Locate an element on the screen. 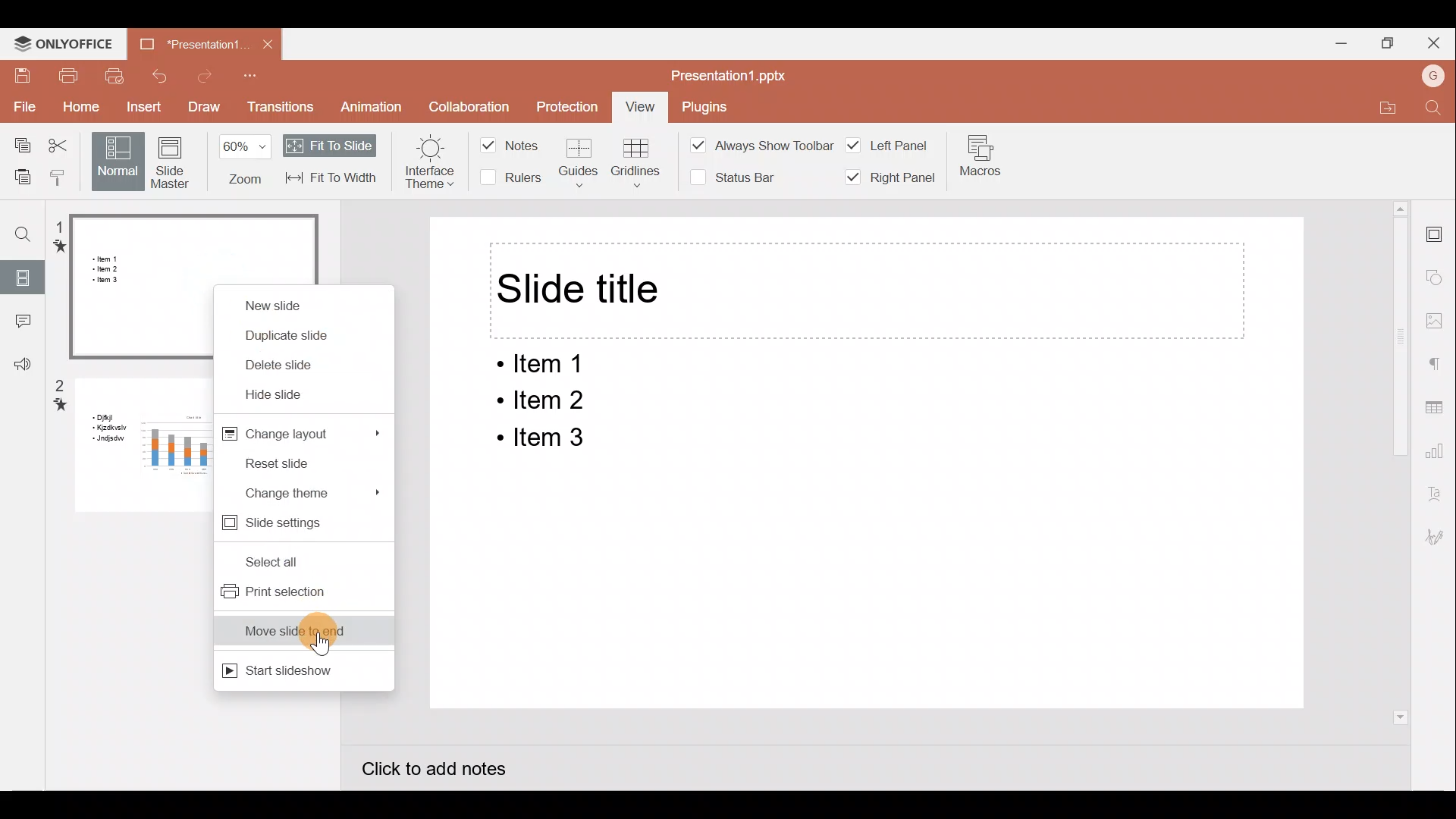 This screenshot has width=1456, height=819. Cut is located at coordinates (60, 144).